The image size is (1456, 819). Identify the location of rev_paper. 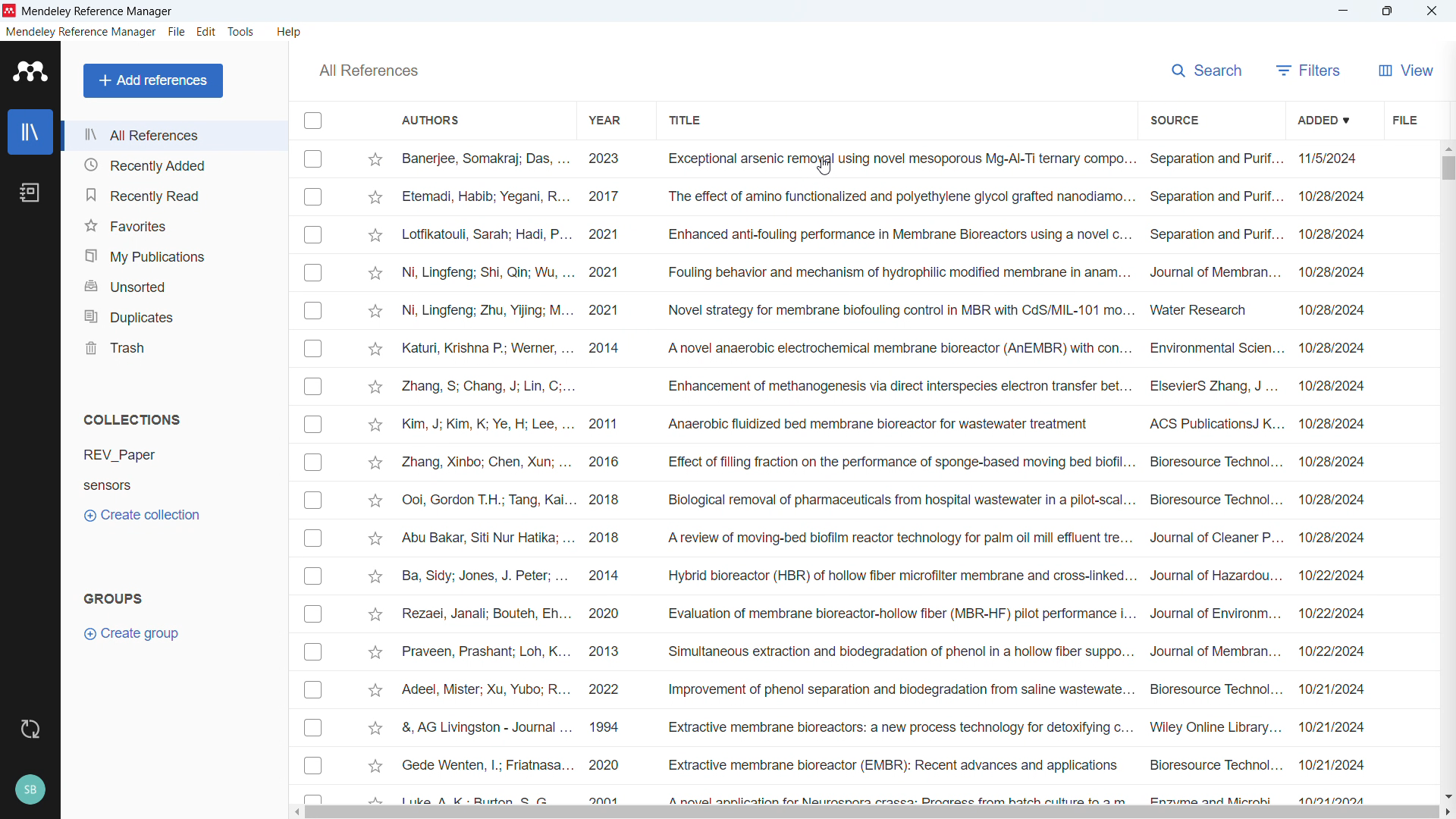
(131, 454).